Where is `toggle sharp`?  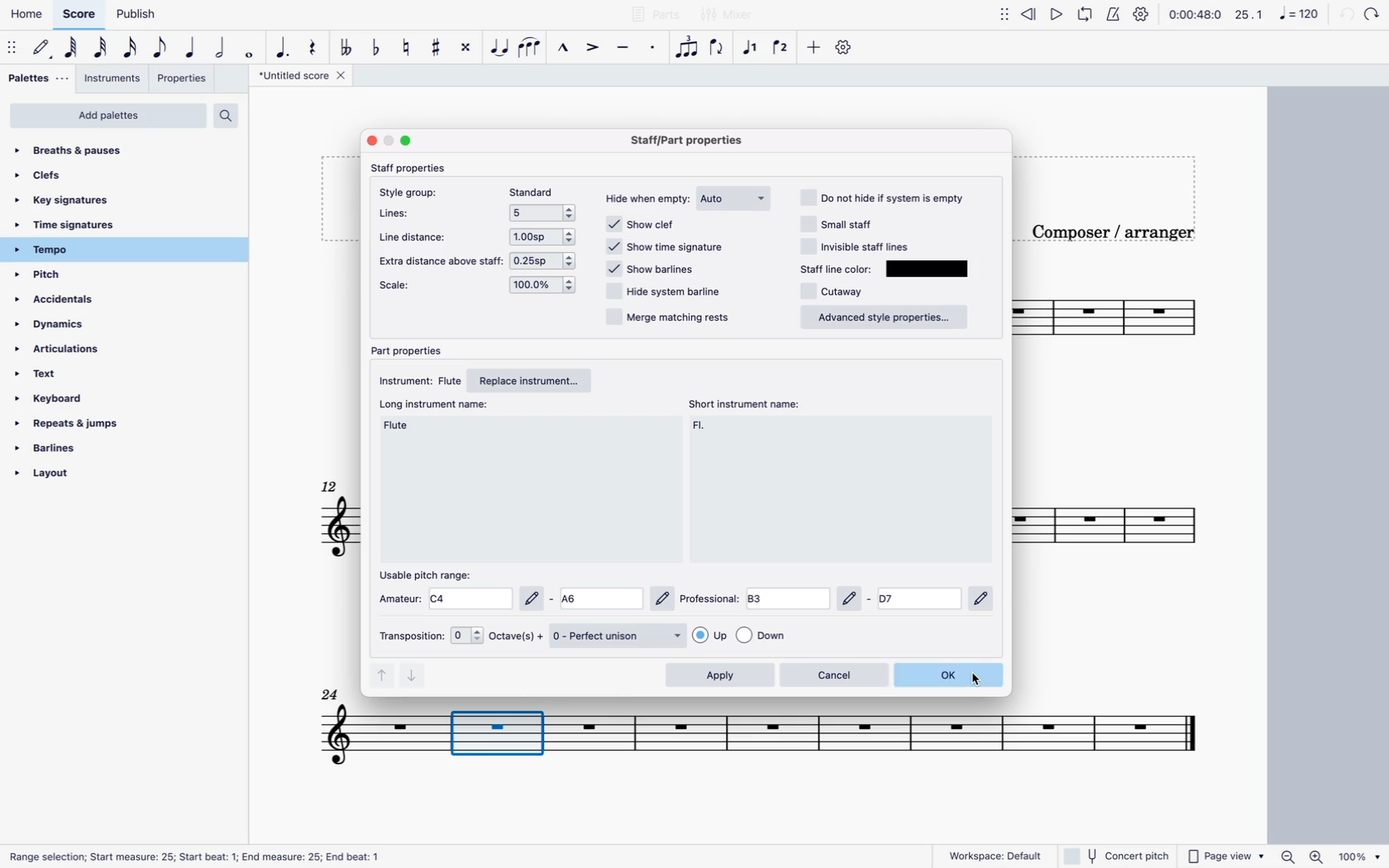 toggle sharp is located at coordinates (437, 47).